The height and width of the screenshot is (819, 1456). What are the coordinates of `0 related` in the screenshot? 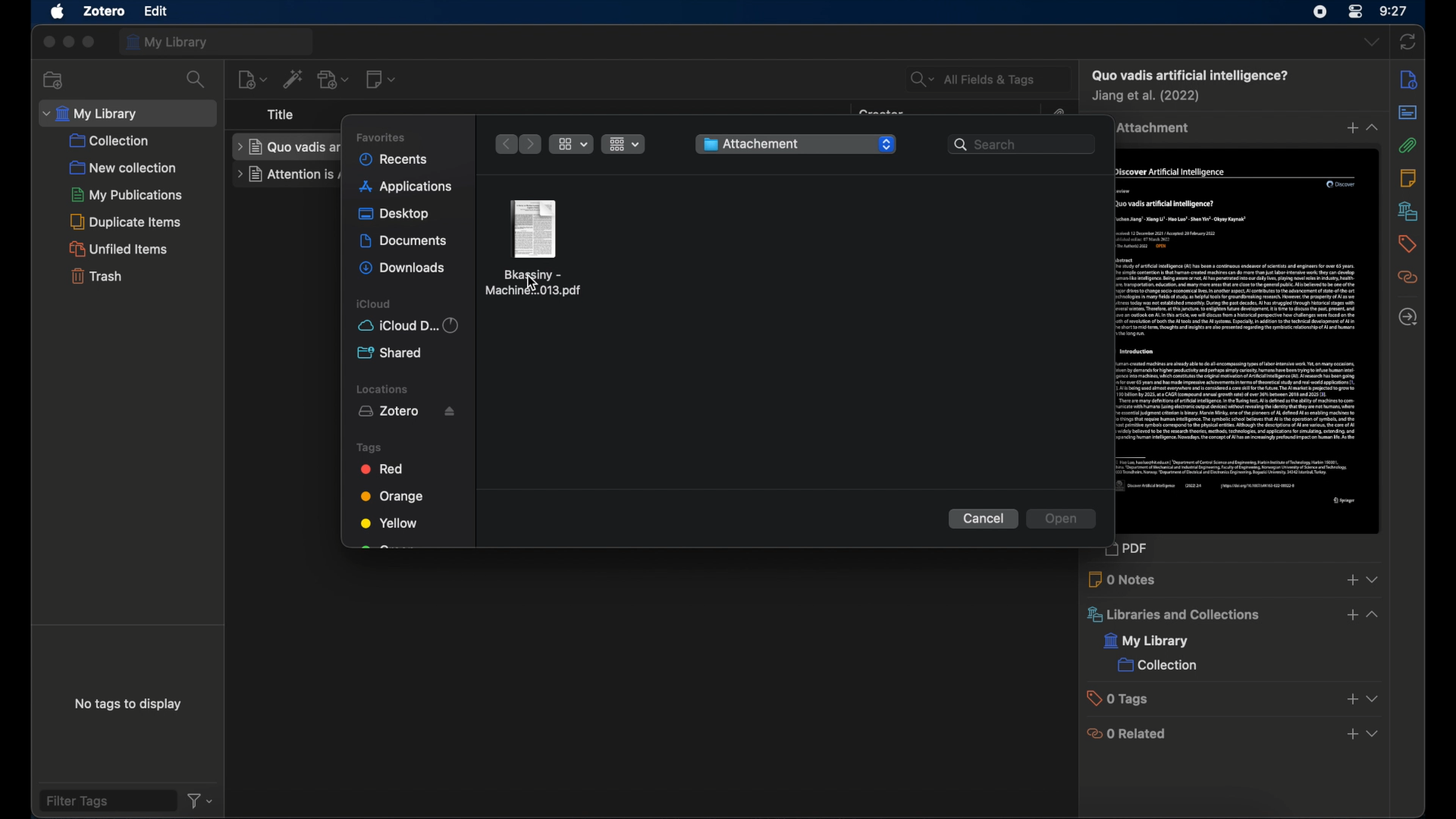 It's located at (1128, 733).